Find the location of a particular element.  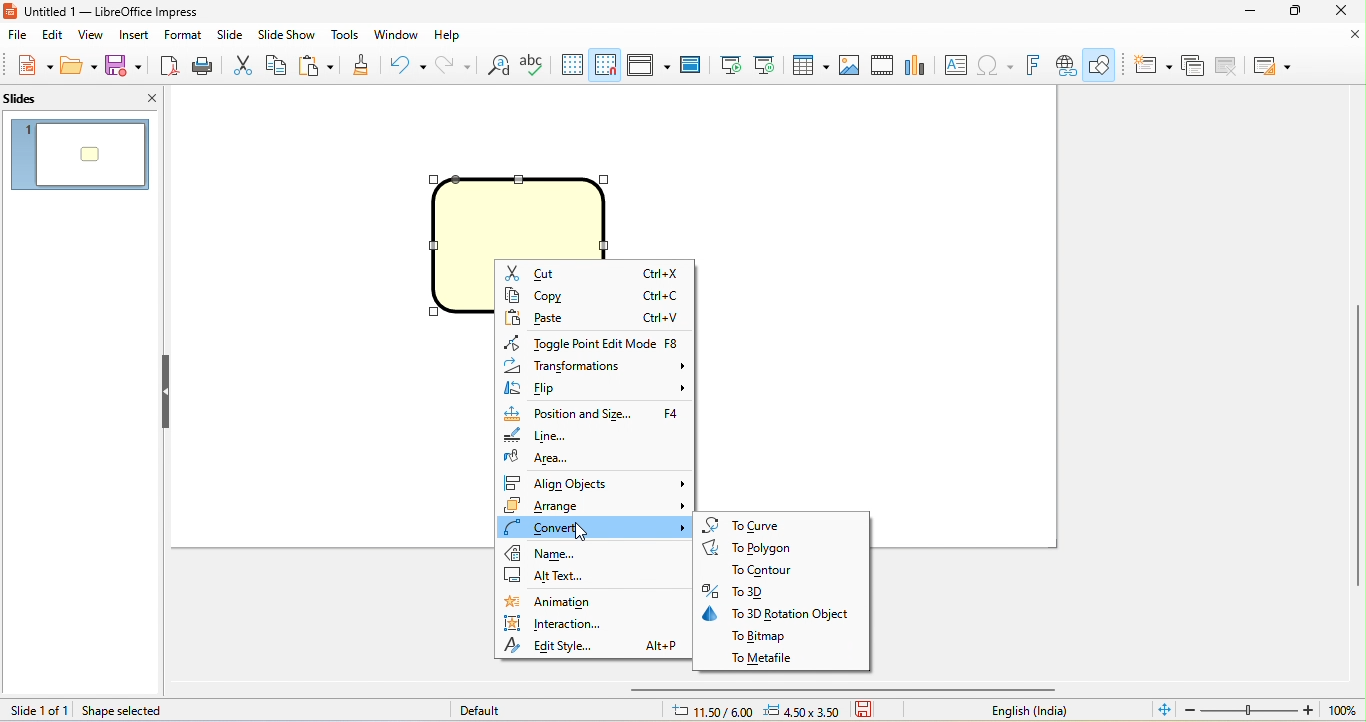

save the document is located at coordinates (870, 711).